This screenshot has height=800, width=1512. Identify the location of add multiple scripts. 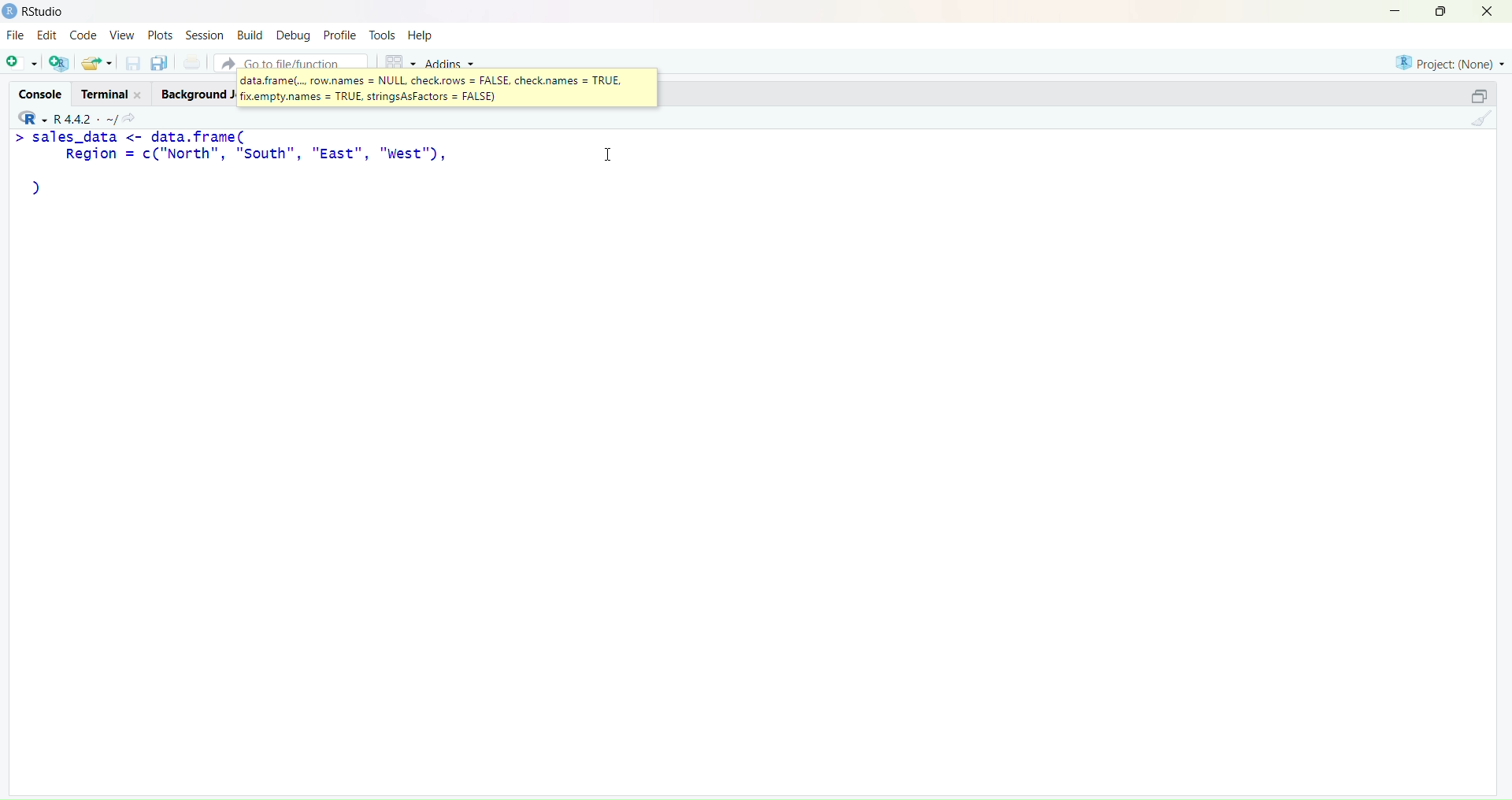
(60, 65).